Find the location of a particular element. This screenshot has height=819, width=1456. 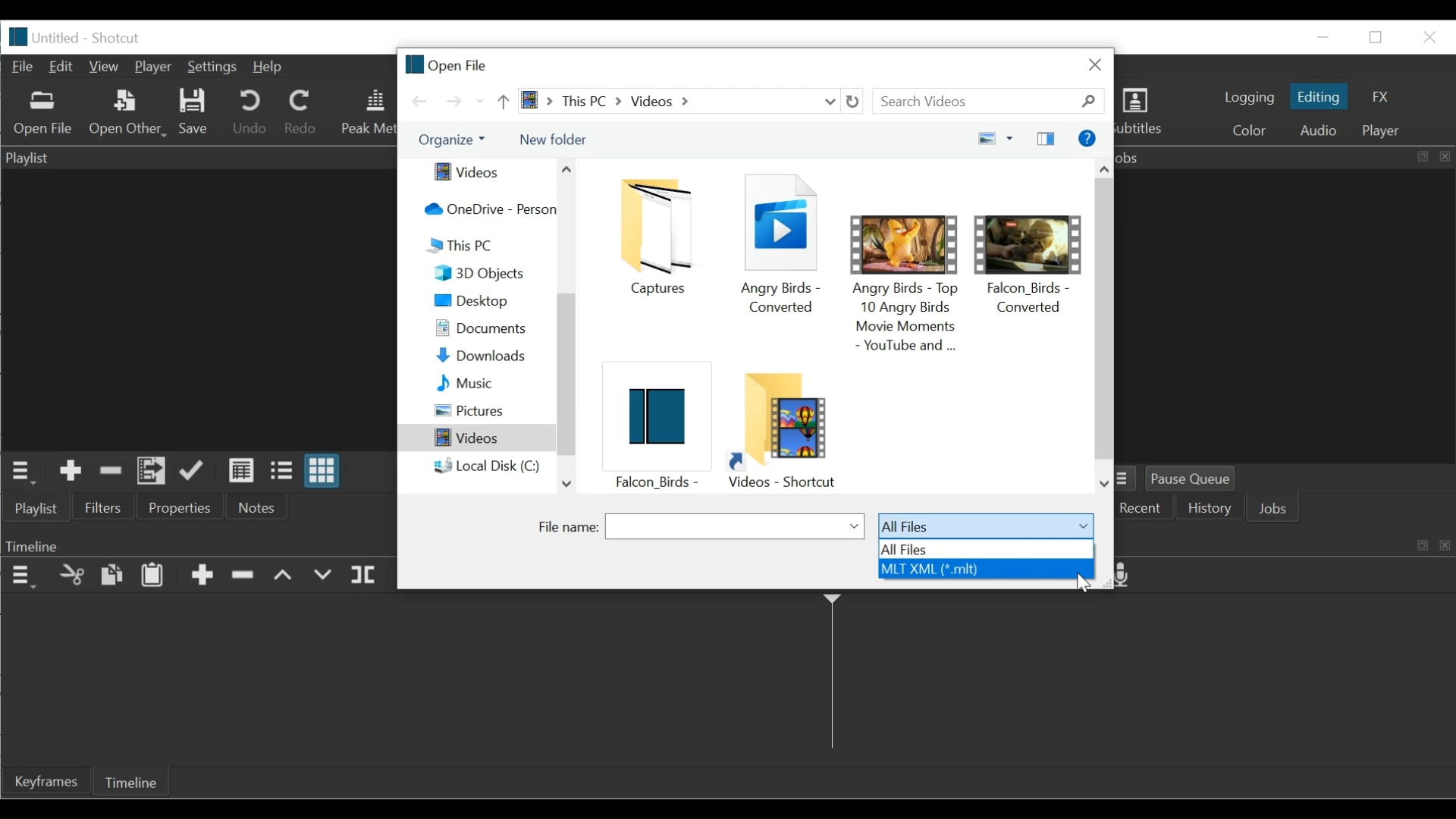

Redo is located at coordinates (303, 111).